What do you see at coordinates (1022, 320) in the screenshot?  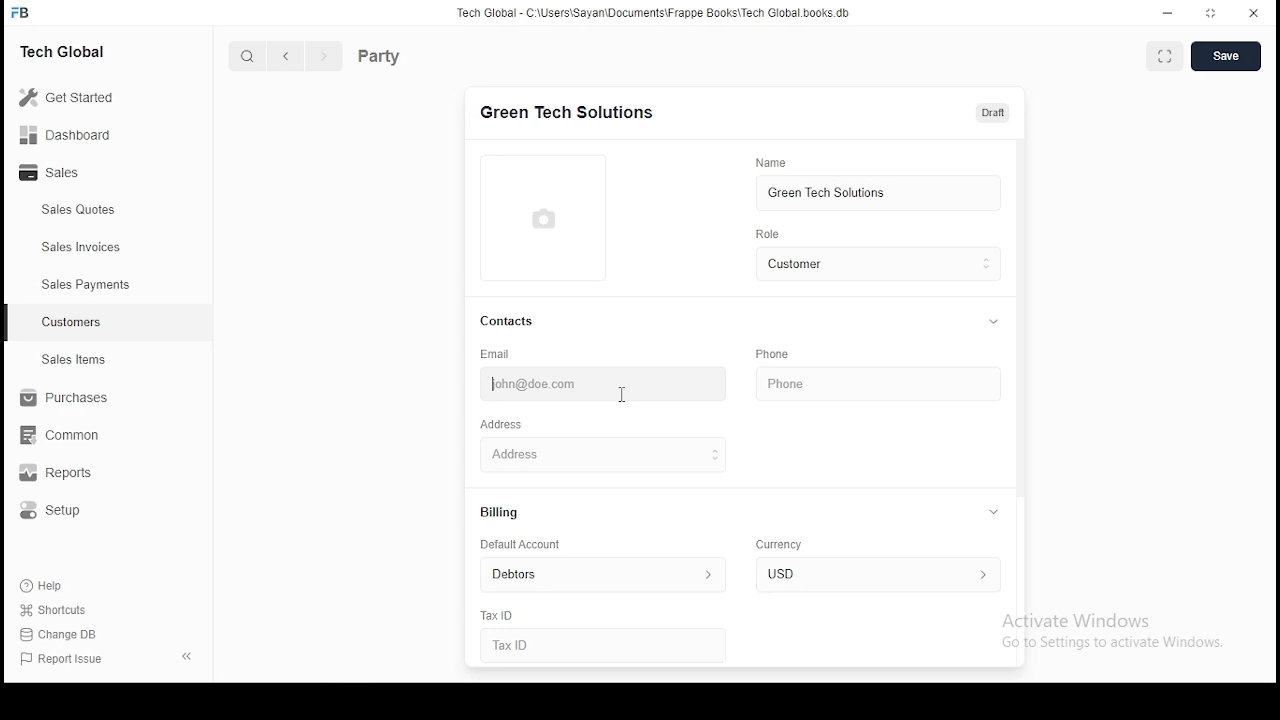 I see `vertical scroll bar` at bounding box center [1022, 320].